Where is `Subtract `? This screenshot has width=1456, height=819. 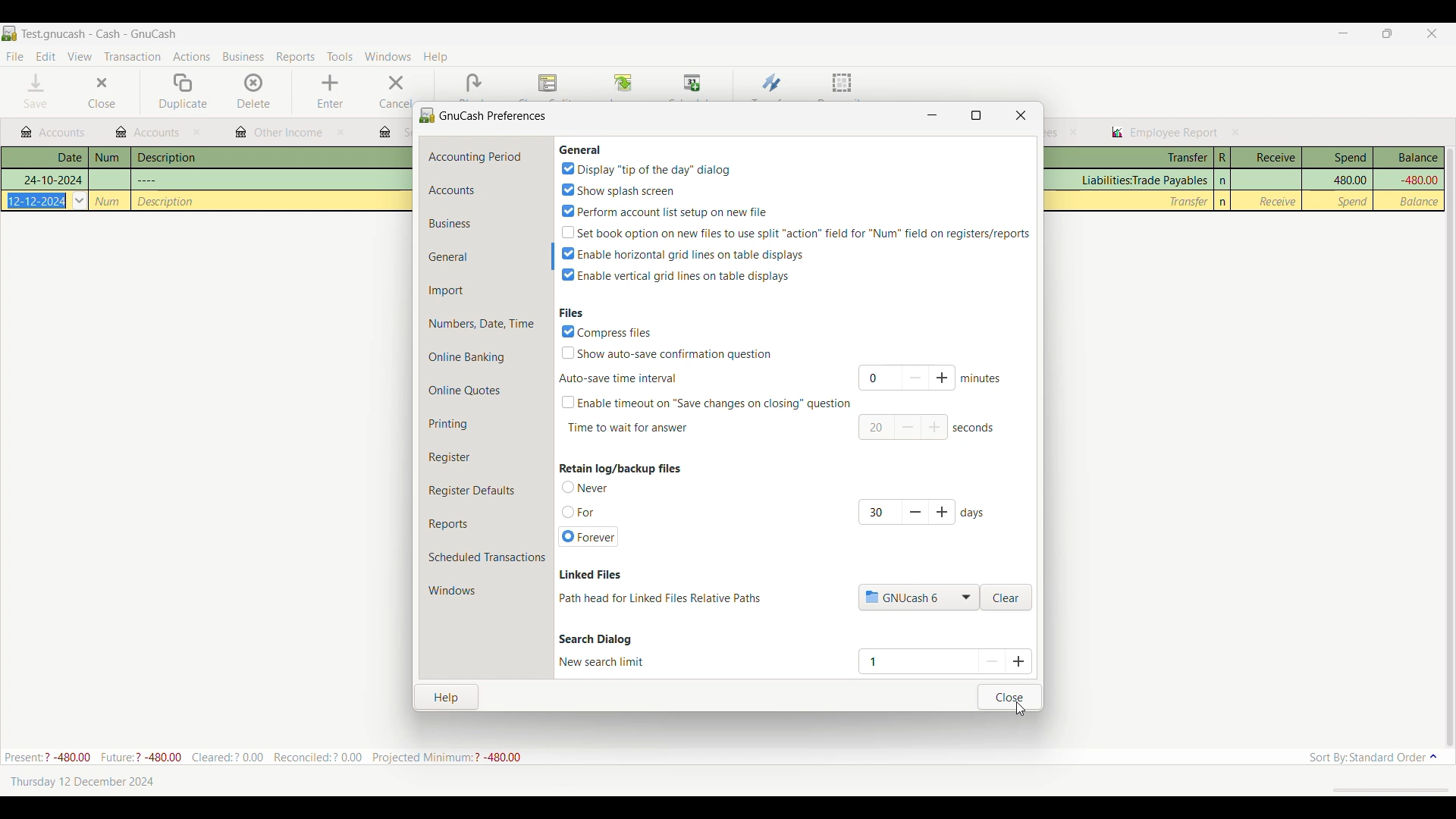
Subtract  is located at coordinates (914, 377).